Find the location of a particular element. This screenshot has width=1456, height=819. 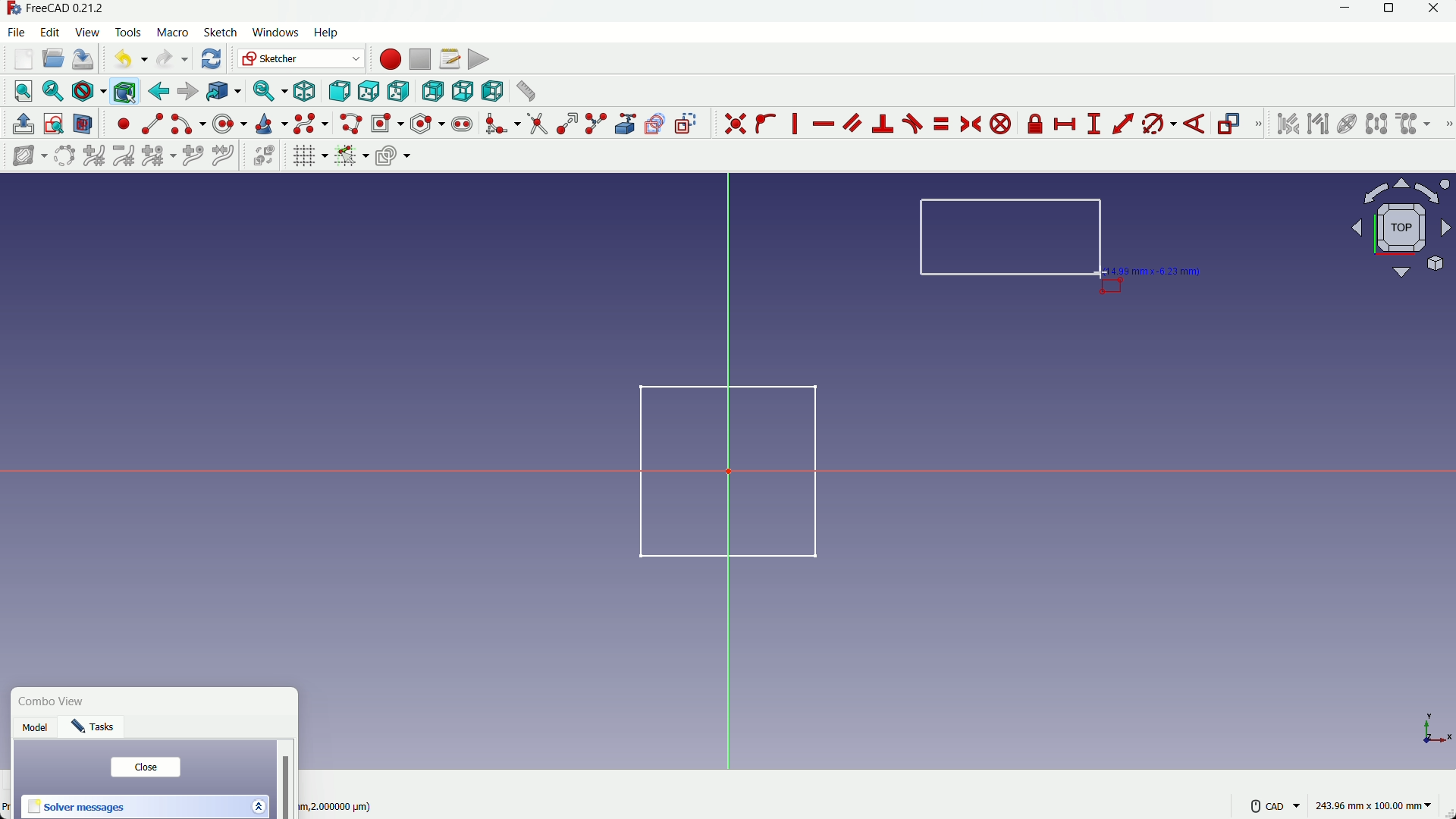

create fillet is located at coordinates (501, 124).